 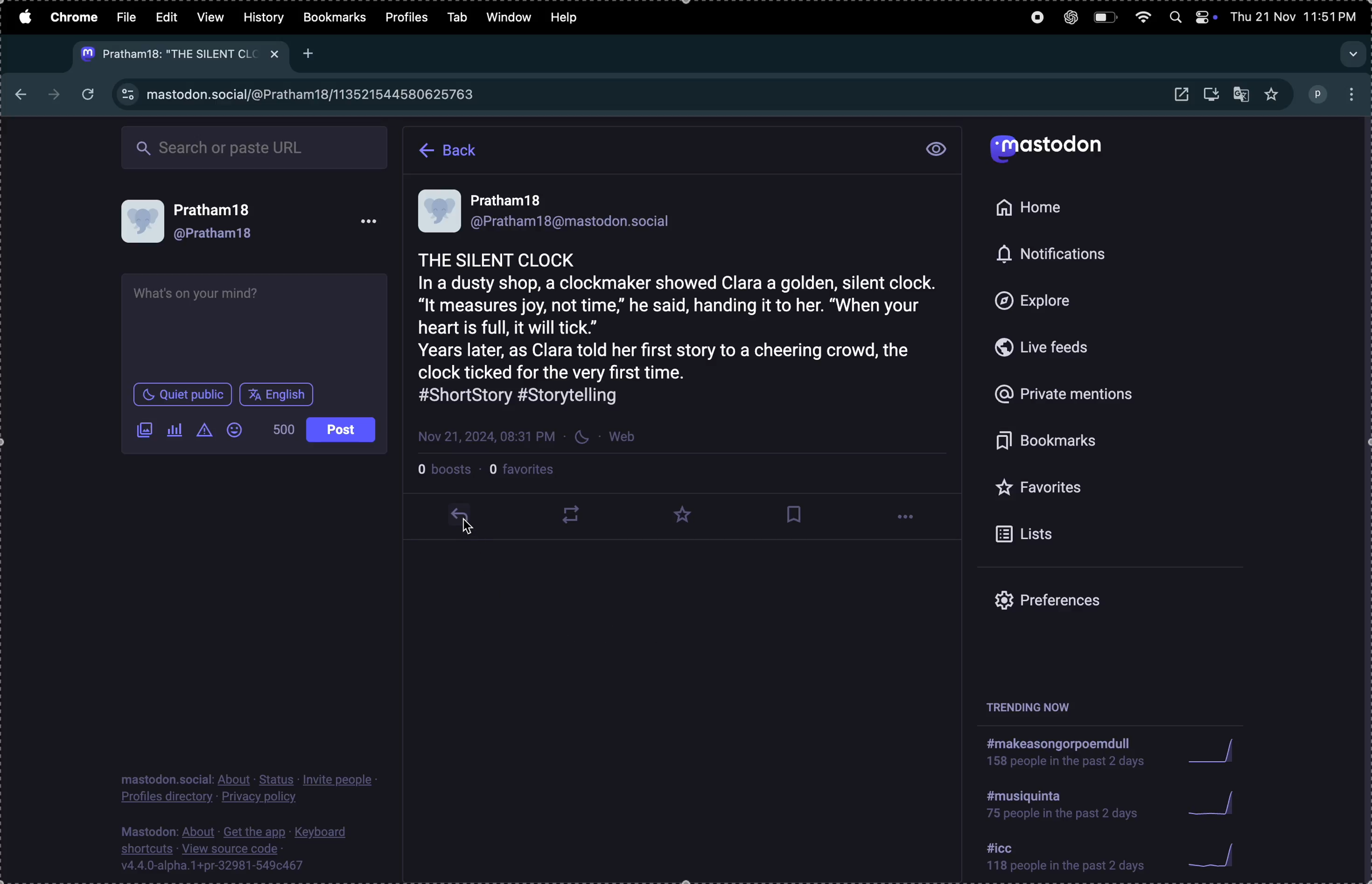 I want to click on open window, so click(x=1181, y=95).